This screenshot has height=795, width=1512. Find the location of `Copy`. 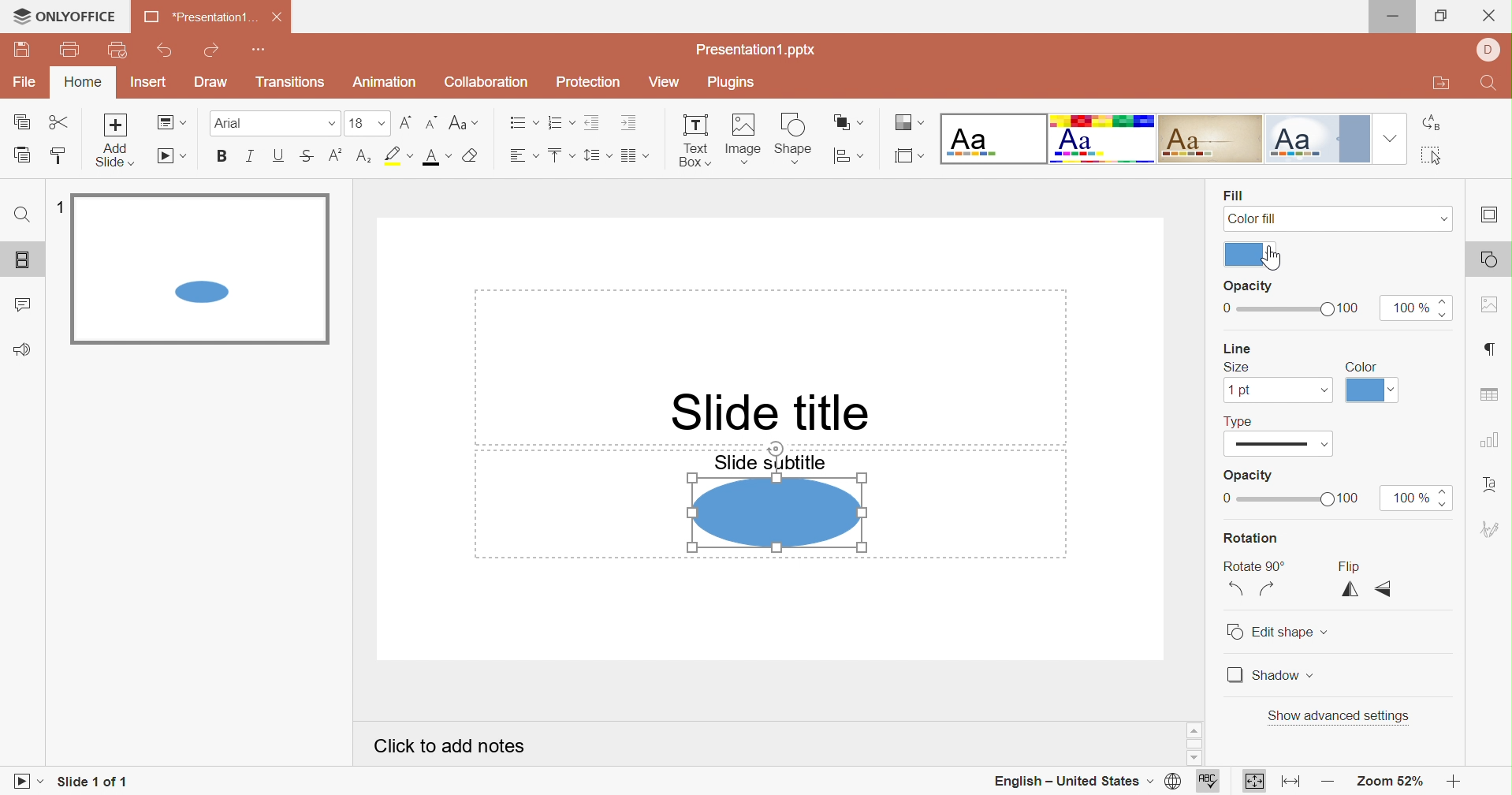

Copy is located at coordinates (23, 123).